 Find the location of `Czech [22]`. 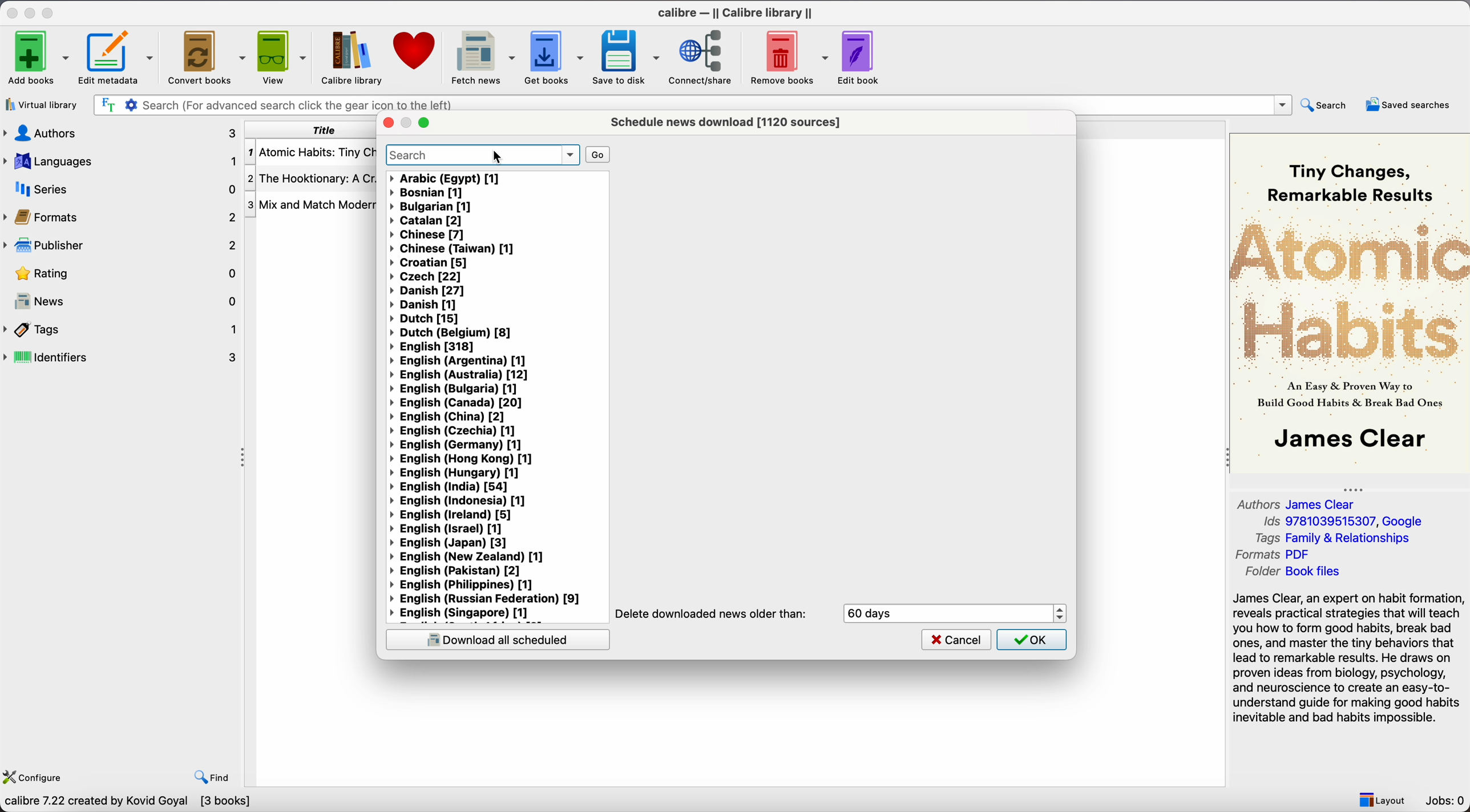

Czech [22] is located at coordinates (425, 276).